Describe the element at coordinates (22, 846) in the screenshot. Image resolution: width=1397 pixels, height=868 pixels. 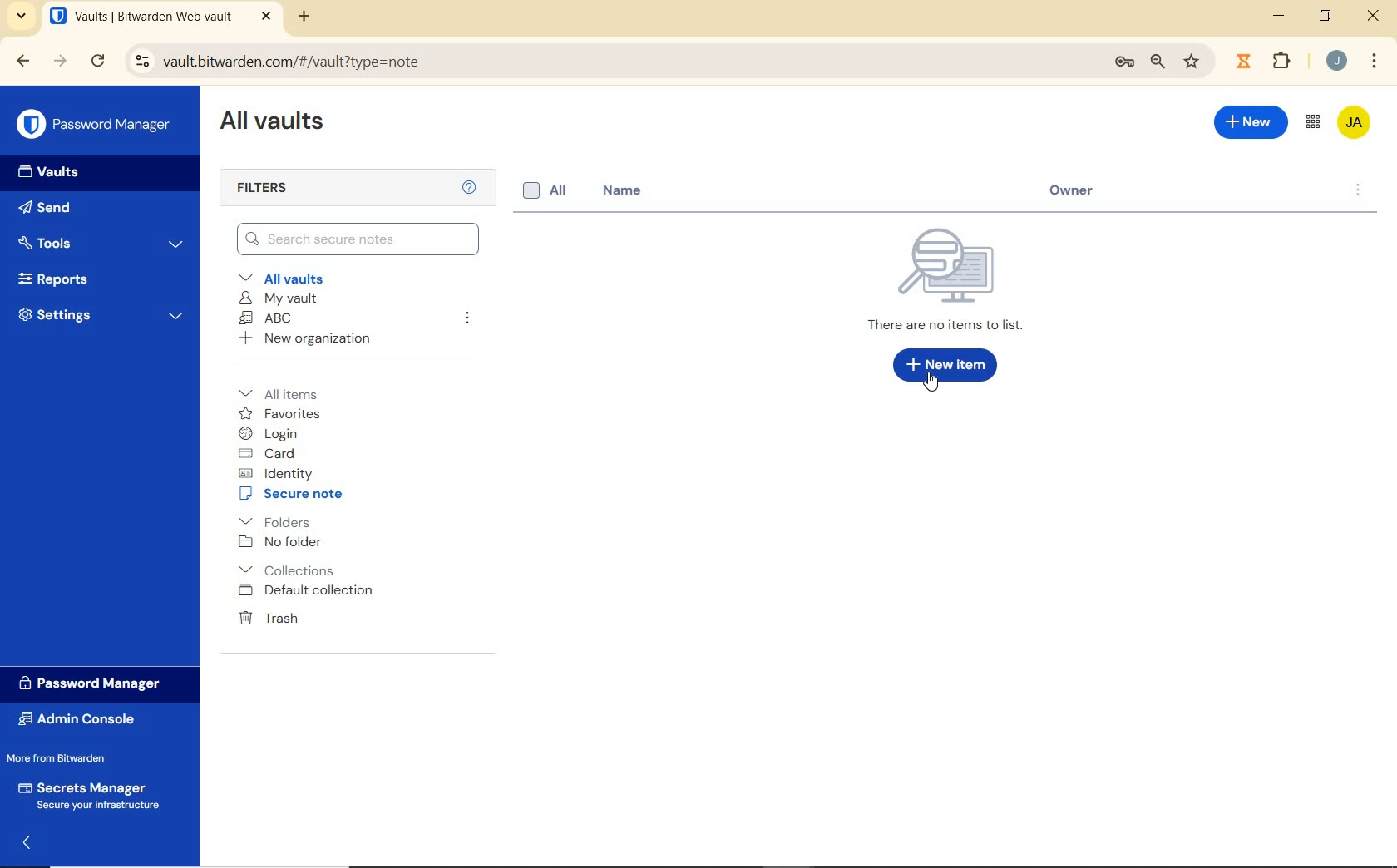
I see `expand/collapse` at that location.